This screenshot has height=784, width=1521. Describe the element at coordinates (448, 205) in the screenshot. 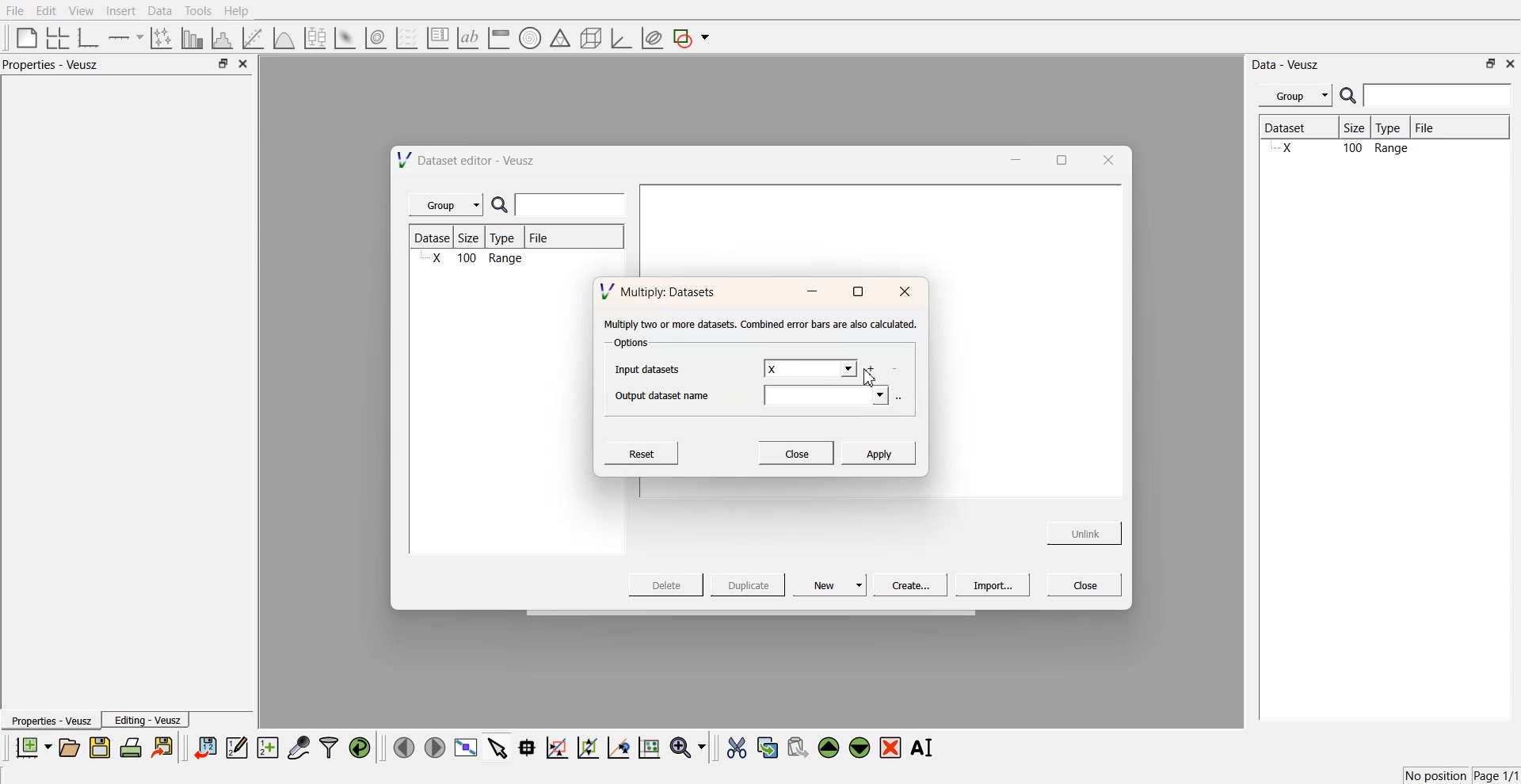

I see `Group |` at that location.